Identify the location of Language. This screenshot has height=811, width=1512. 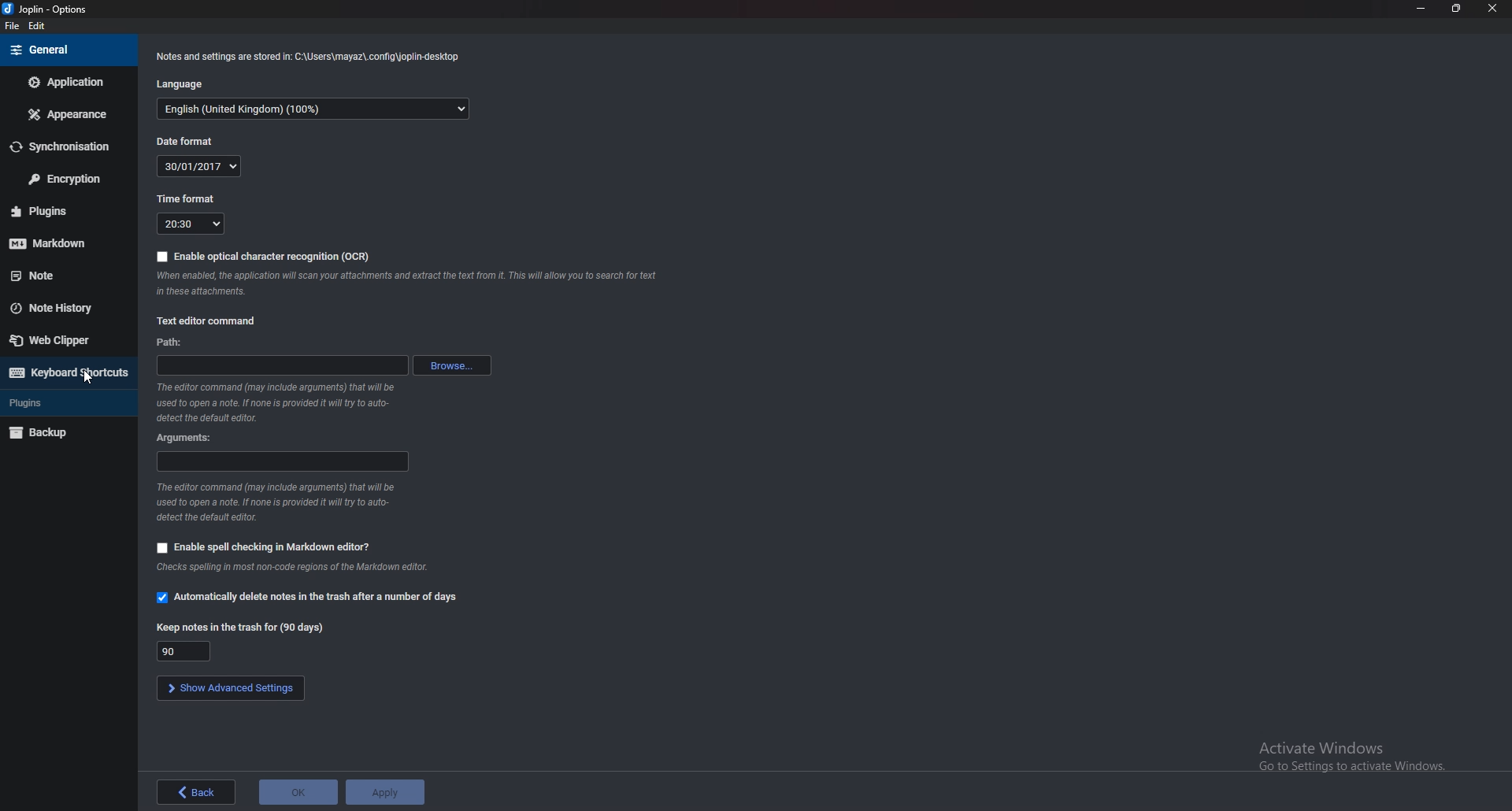
(315, 110).